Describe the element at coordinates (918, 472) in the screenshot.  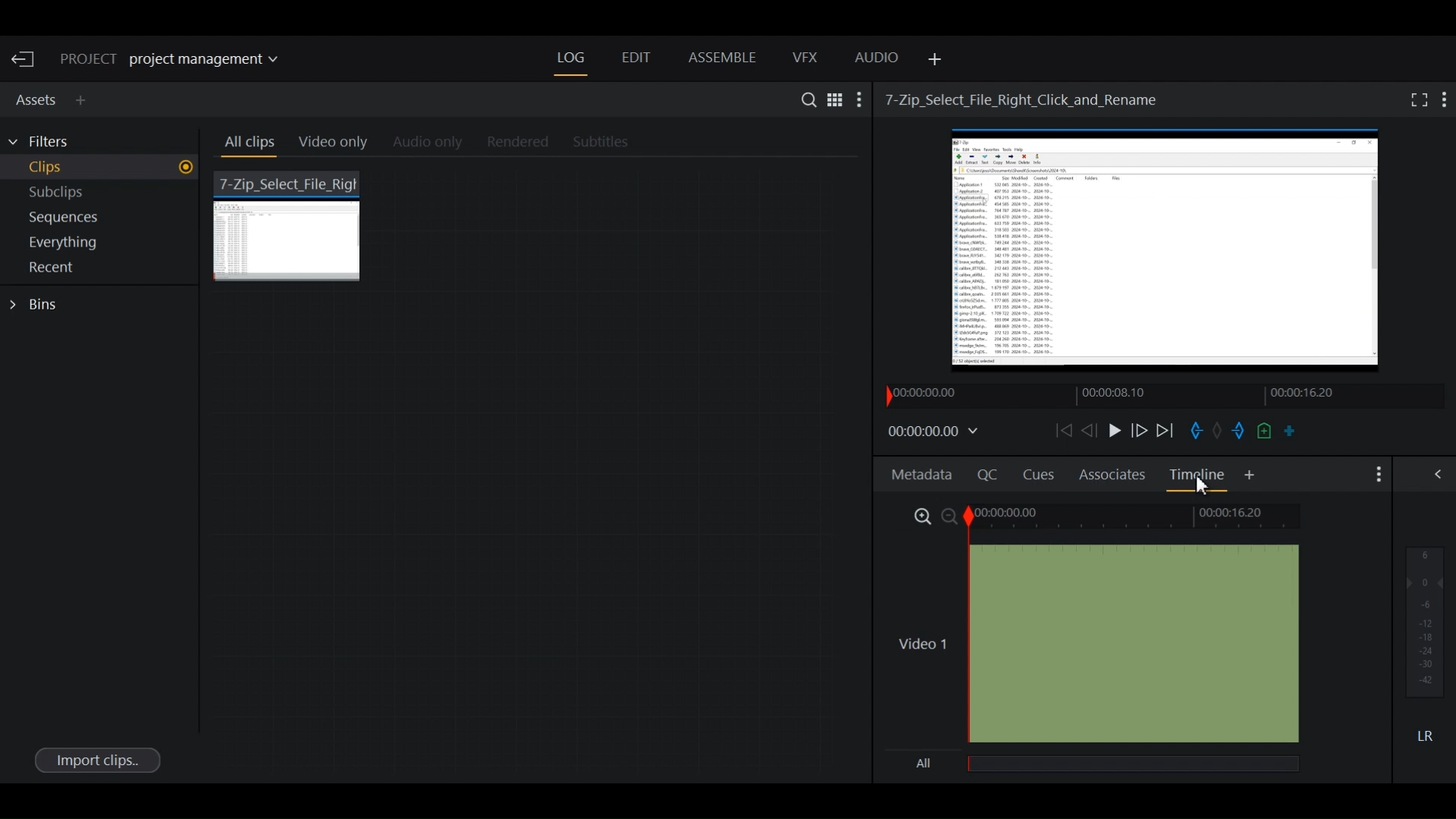
I see `Metadata` at that location.